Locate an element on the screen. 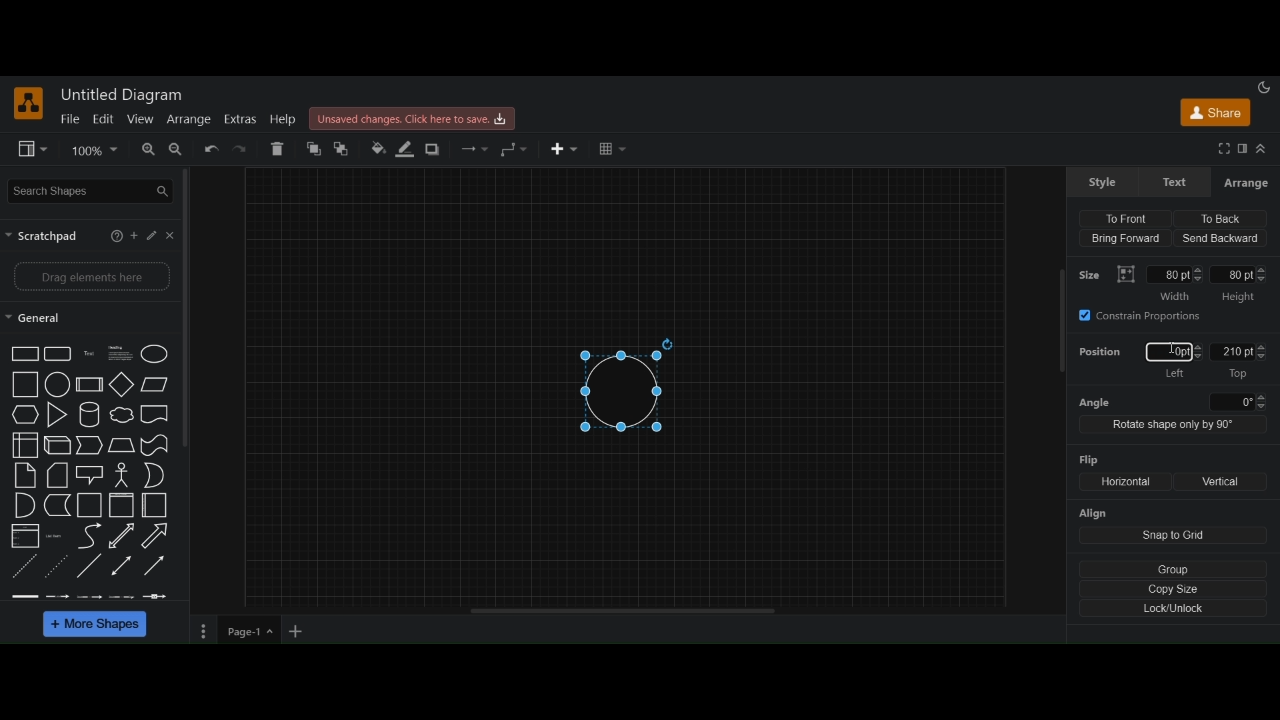 Image resolution: width=1280 pixels, height=720 pixels. vertical scroll bar is located at coordinates (191, 307).